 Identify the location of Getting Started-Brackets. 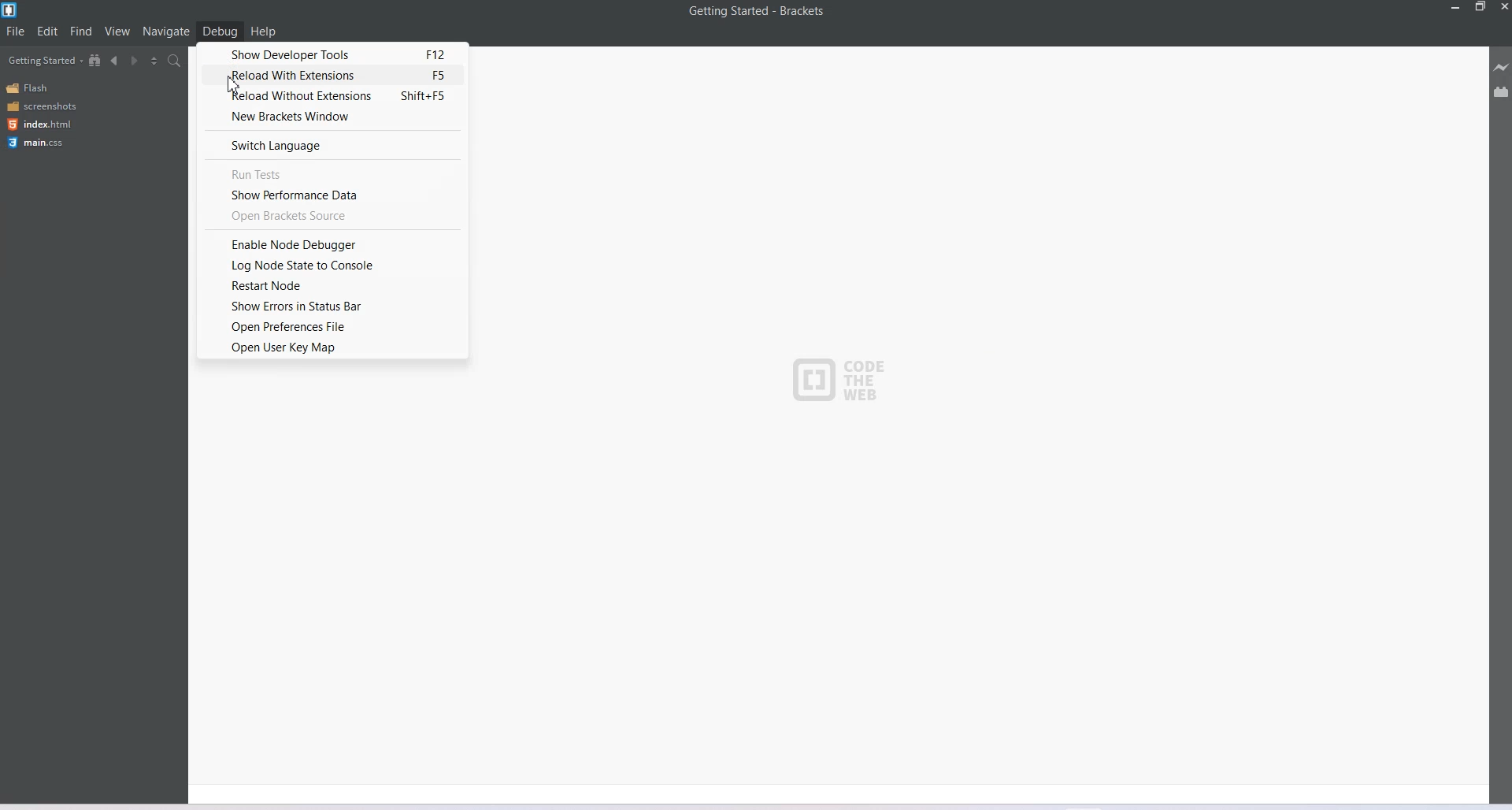
(757, 12).